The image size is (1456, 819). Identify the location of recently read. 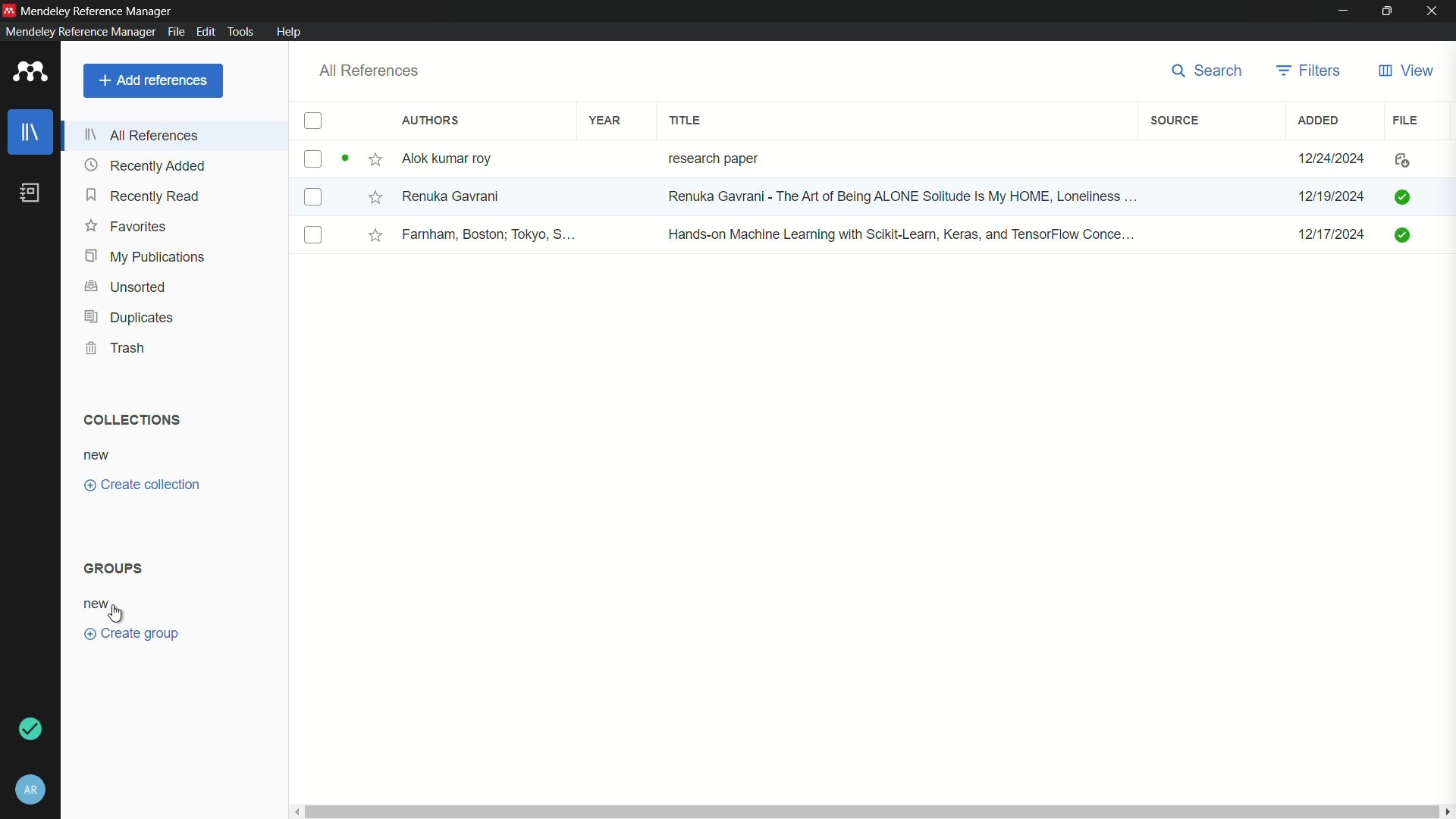
(144, 197).